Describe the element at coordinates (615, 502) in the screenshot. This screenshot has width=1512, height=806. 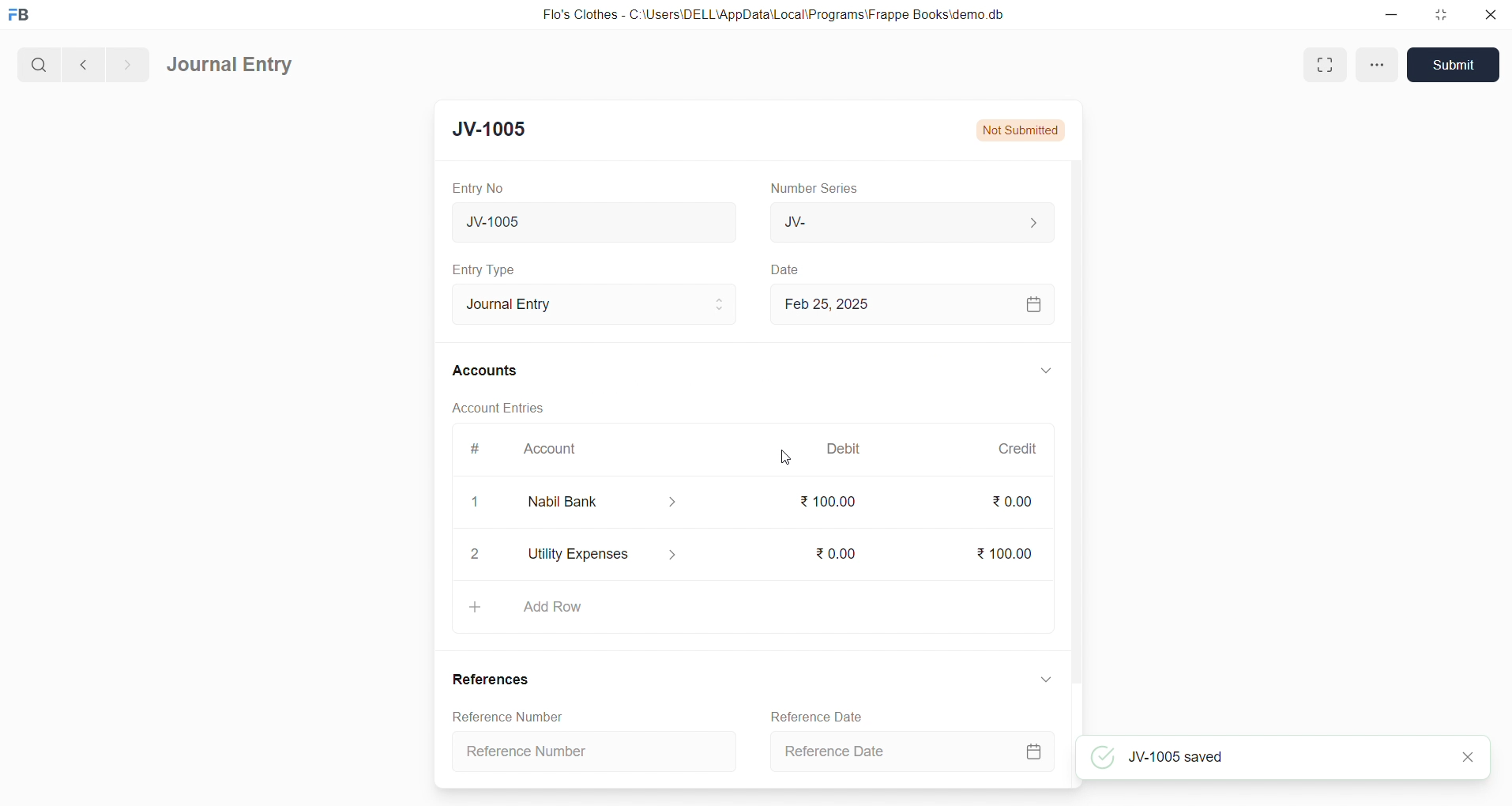
I see `Account` at that location.